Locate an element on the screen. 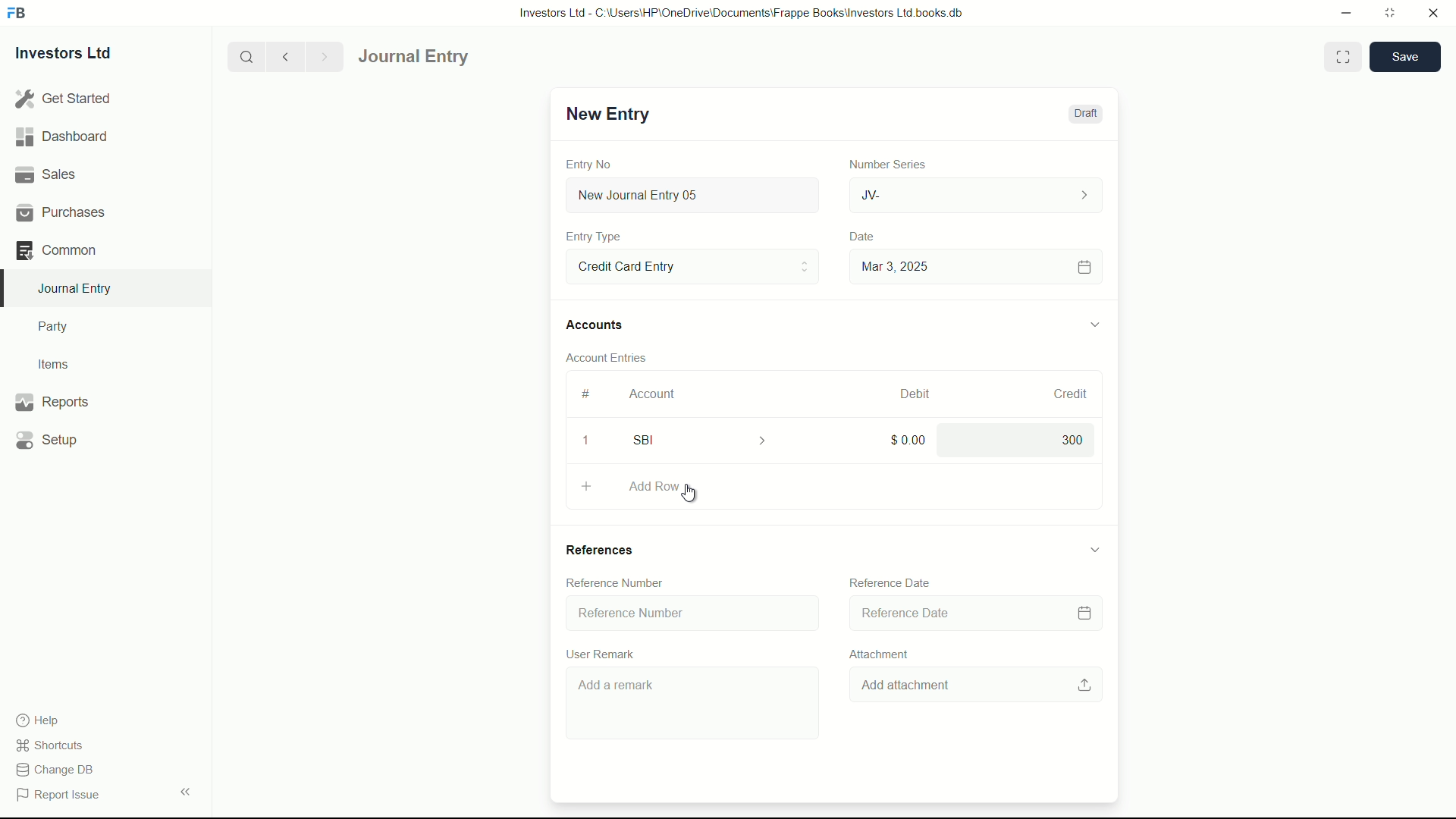 The width and height of the screenshot is (1456, 819). Add a remark is located at coordinates (695, 705).